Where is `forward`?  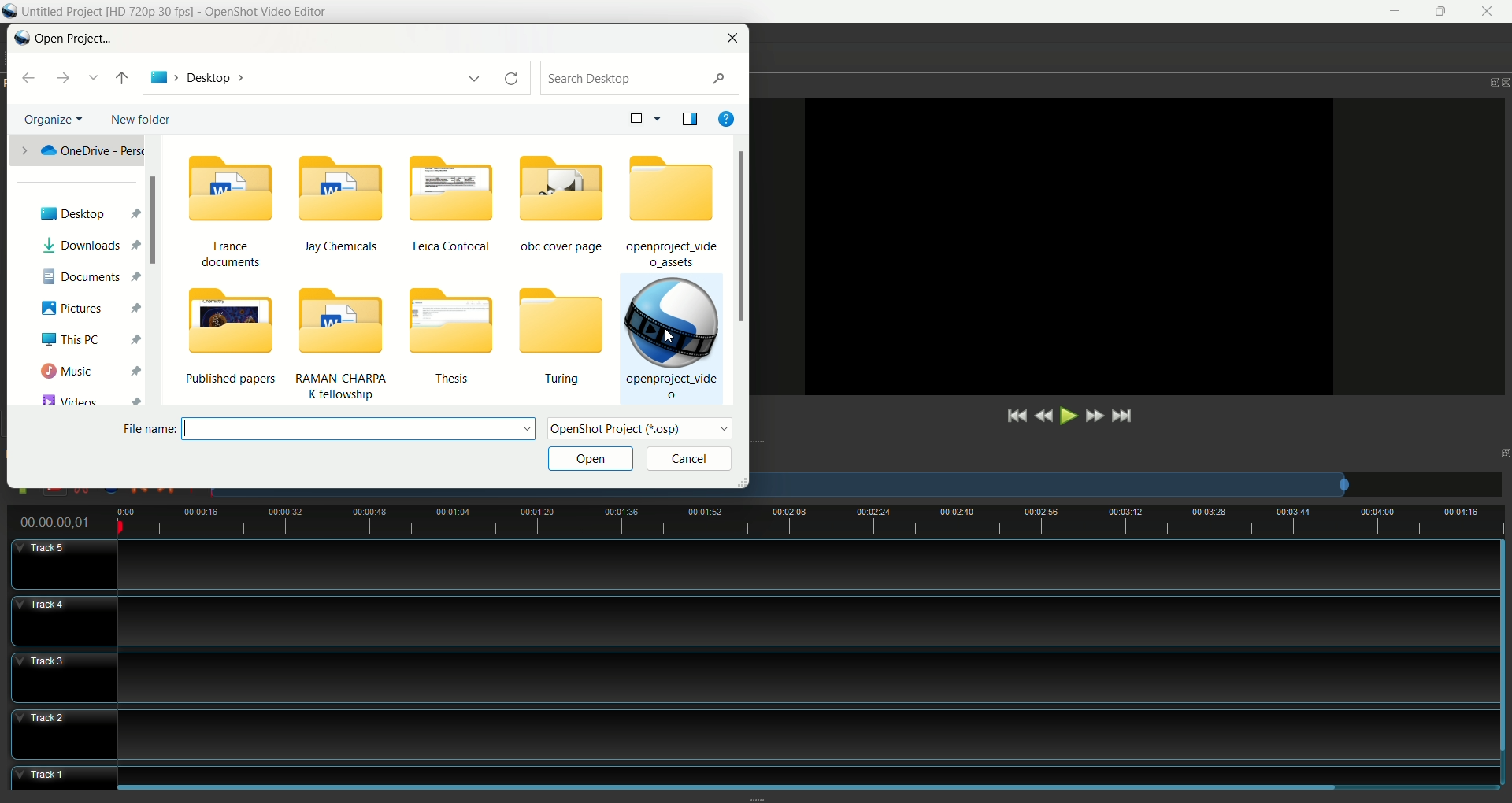
forward is located at coordinates (65, 78).